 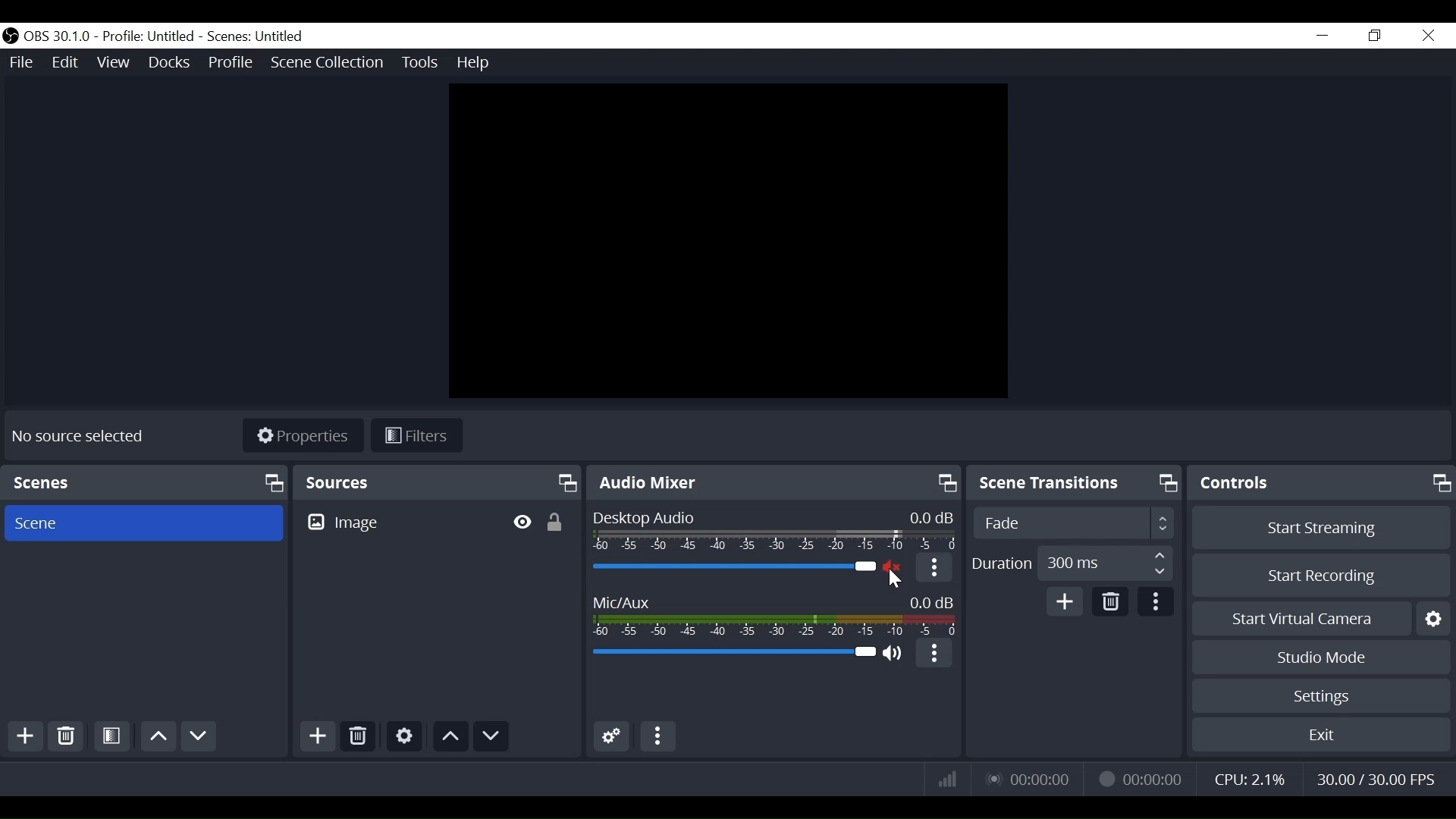 I want to click on Studio Mode, so click(x=1320, y=657).